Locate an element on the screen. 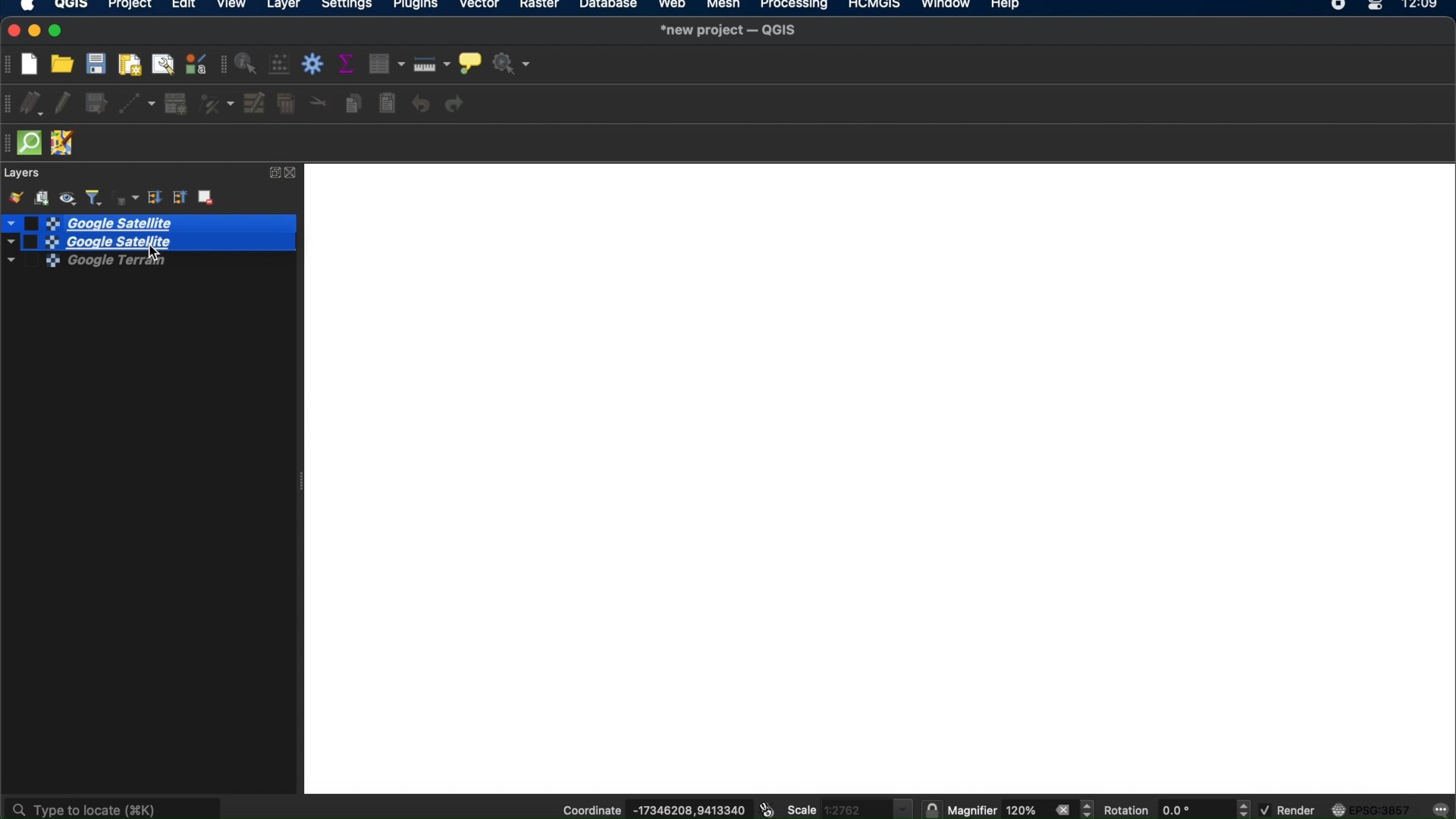 The width and height of the screenshot is (1456, 819). toolbox is located at coordinates (315, 64).